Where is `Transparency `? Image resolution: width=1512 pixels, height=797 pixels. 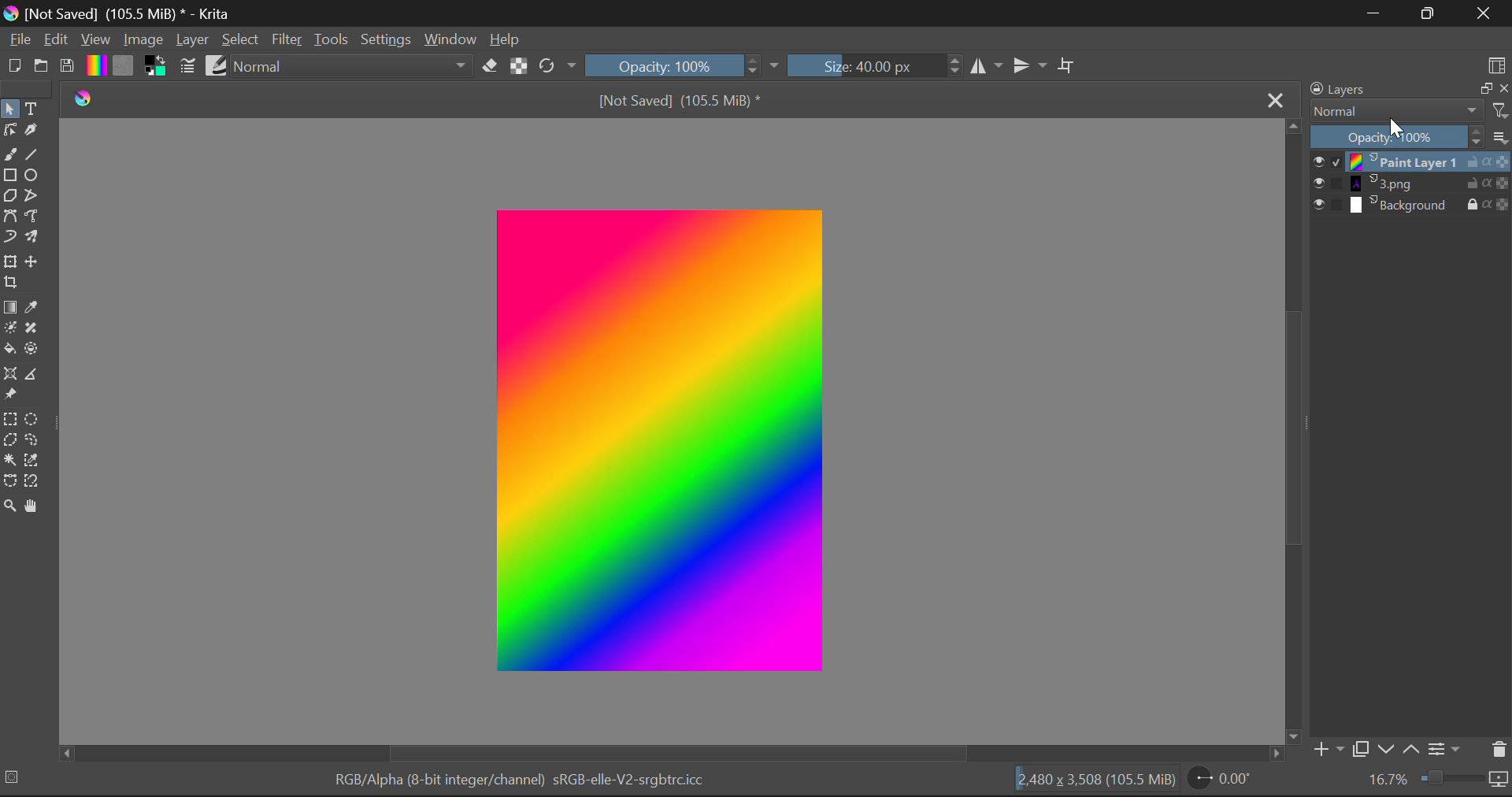 Transparency  is located at coordinates (1503, 183).